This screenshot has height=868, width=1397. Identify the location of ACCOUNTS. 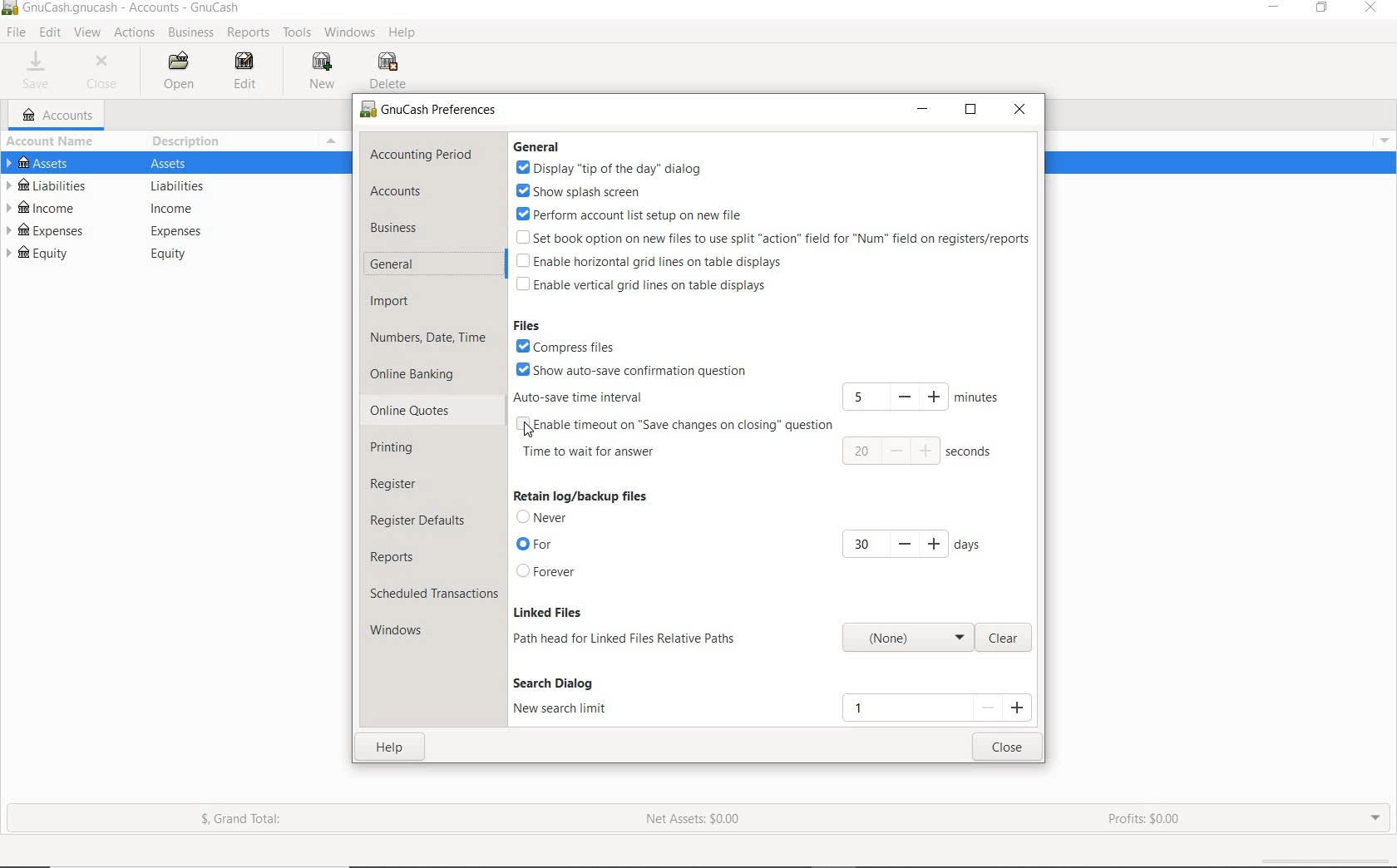
(398, 192).